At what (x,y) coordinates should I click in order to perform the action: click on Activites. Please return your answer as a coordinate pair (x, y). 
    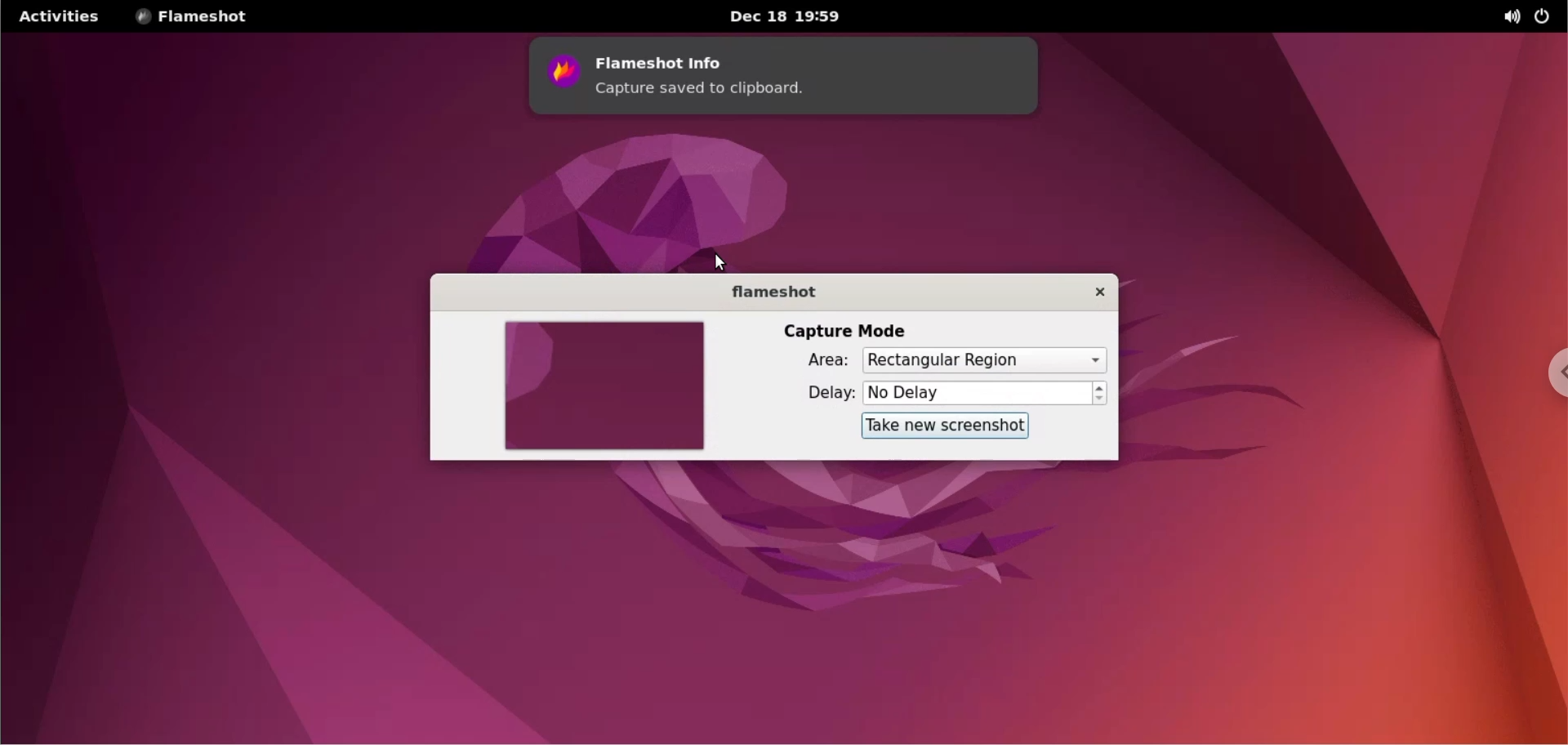
    Looking at the image, I should click on (61, 16).